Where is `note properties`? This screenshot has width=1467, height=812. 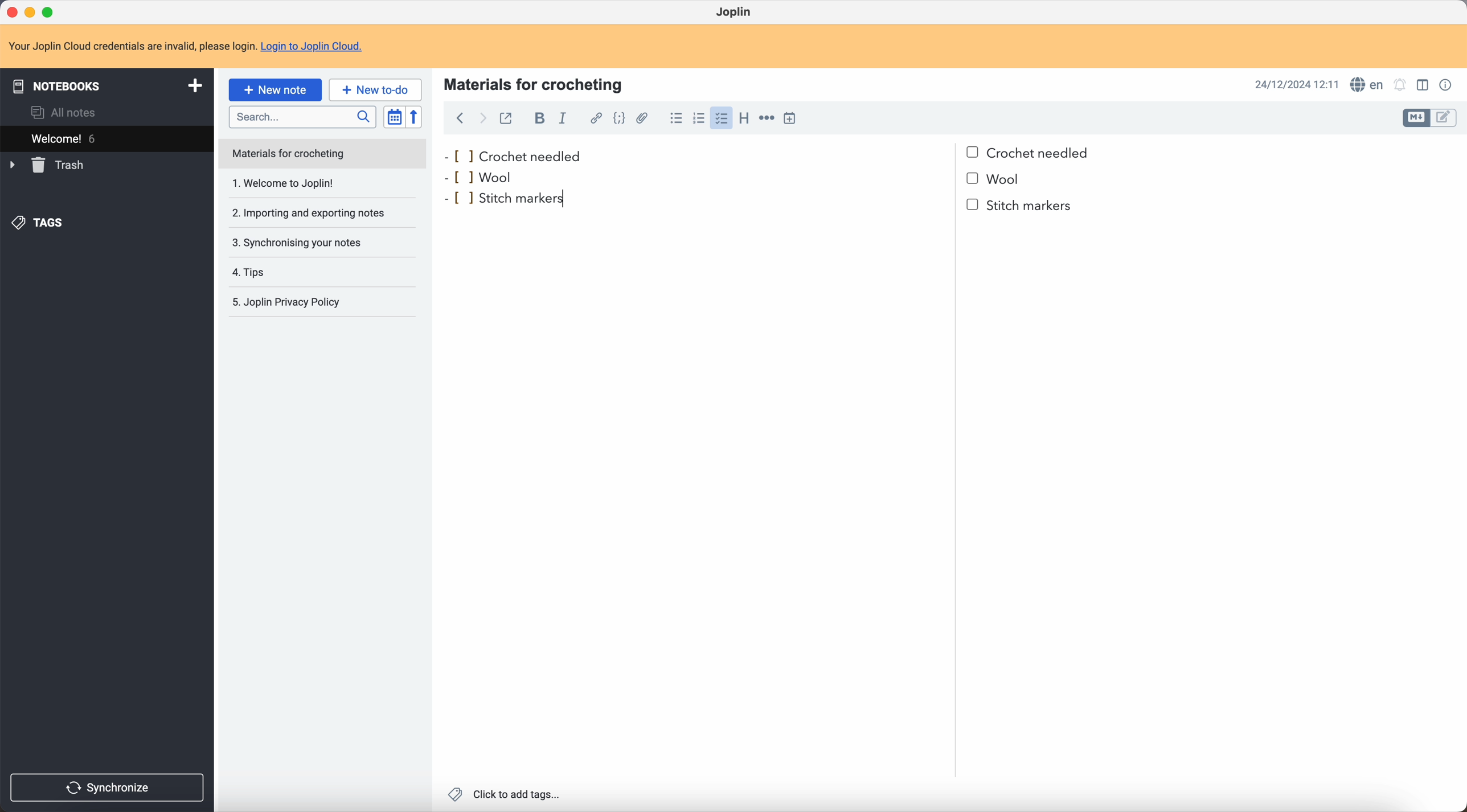
note properties is located at coordinates (1447, 85).